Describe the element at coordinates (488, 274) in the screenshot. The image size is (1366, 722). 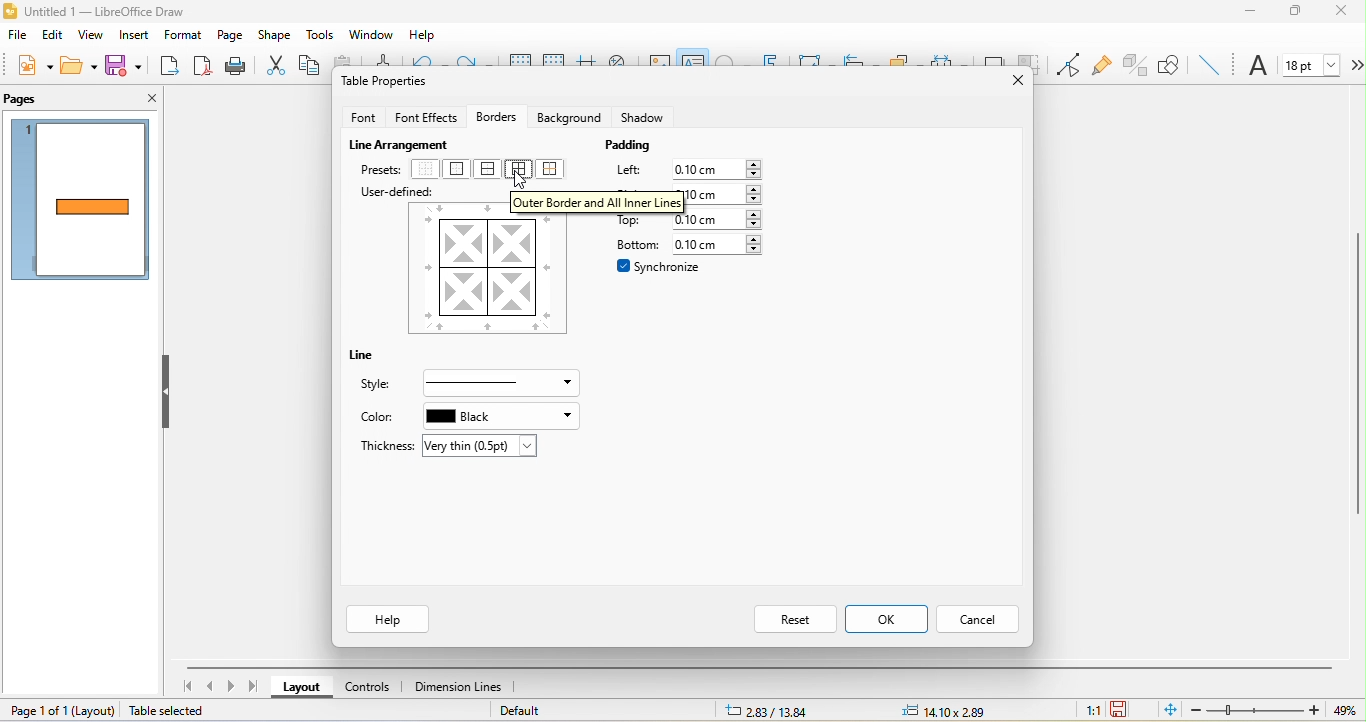
I see `user defined border style` at that location.